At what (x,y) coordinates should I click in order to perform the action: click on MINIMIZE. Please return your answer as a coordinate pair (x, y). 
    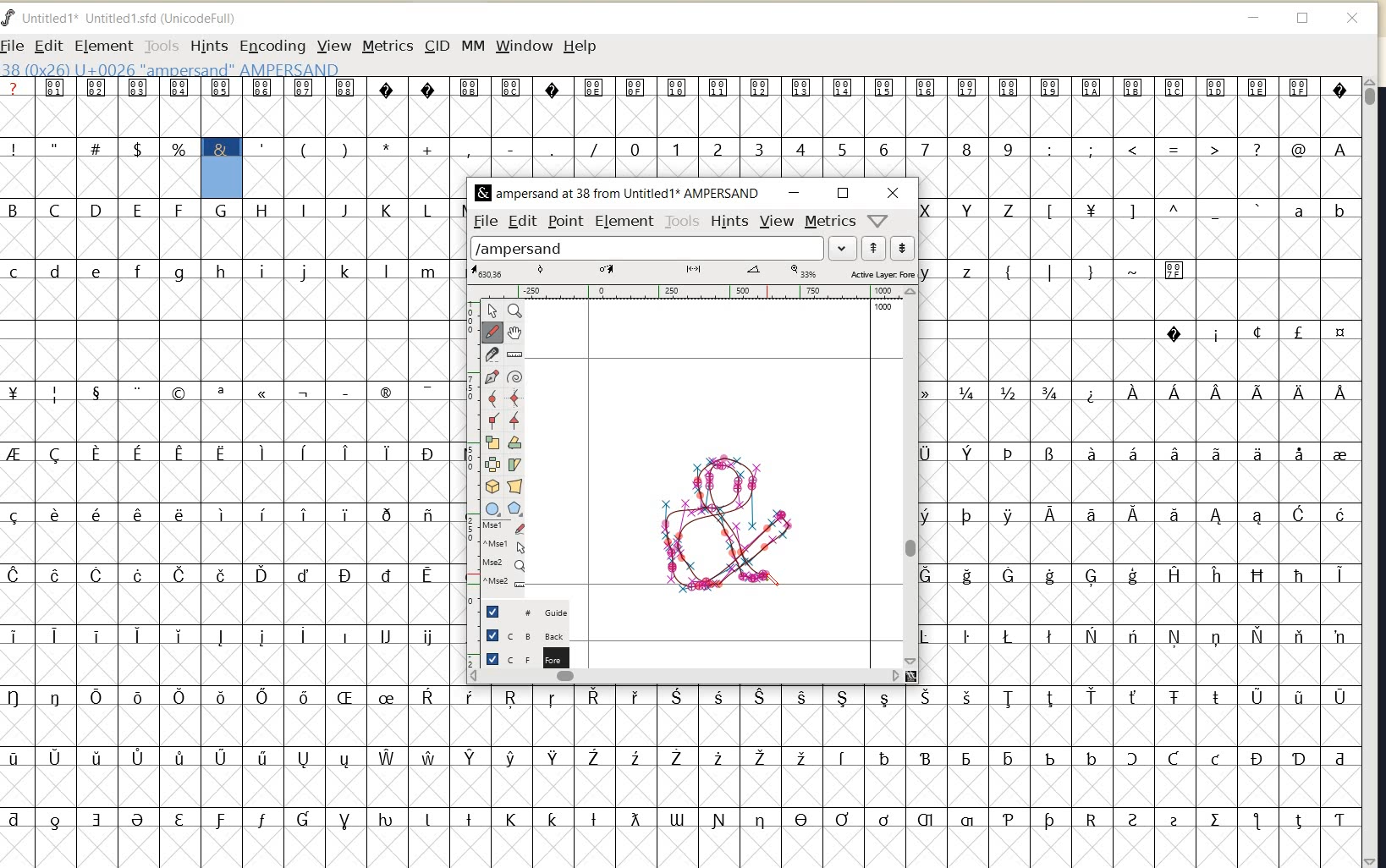
    Looking at the image, I should click on (798, 192).